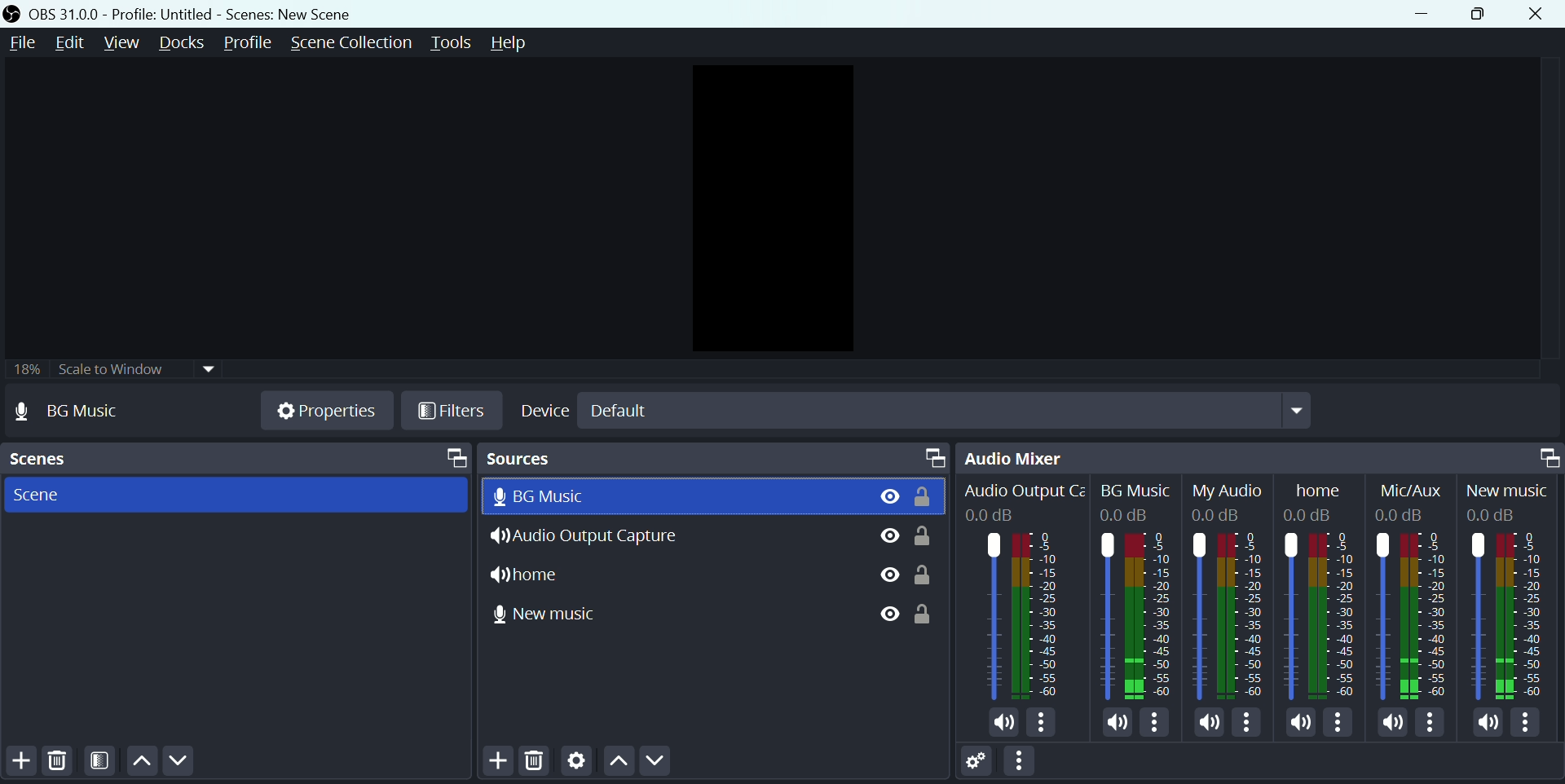  Describe the element at coordinates (48, 460) in the screenshot. I see `Scenes` at that location.